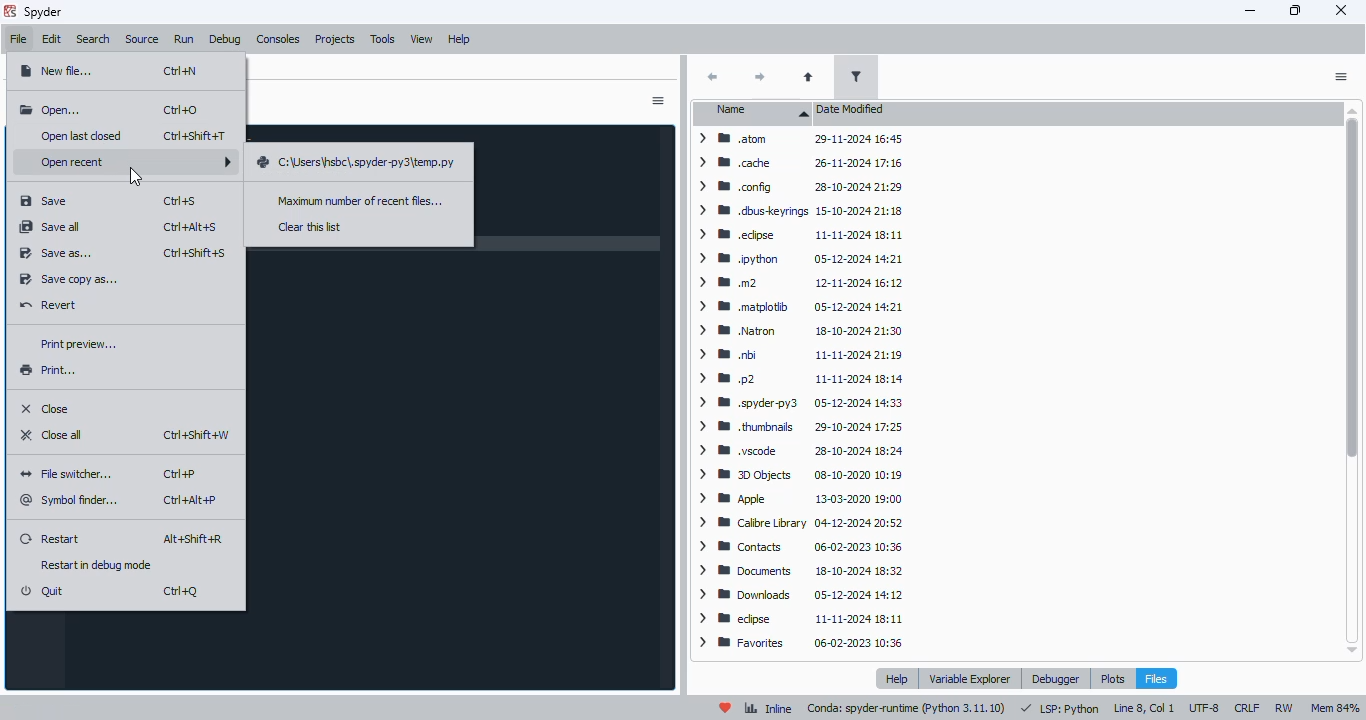  I want to click on shortcut for file switcher, so click(180, 475).